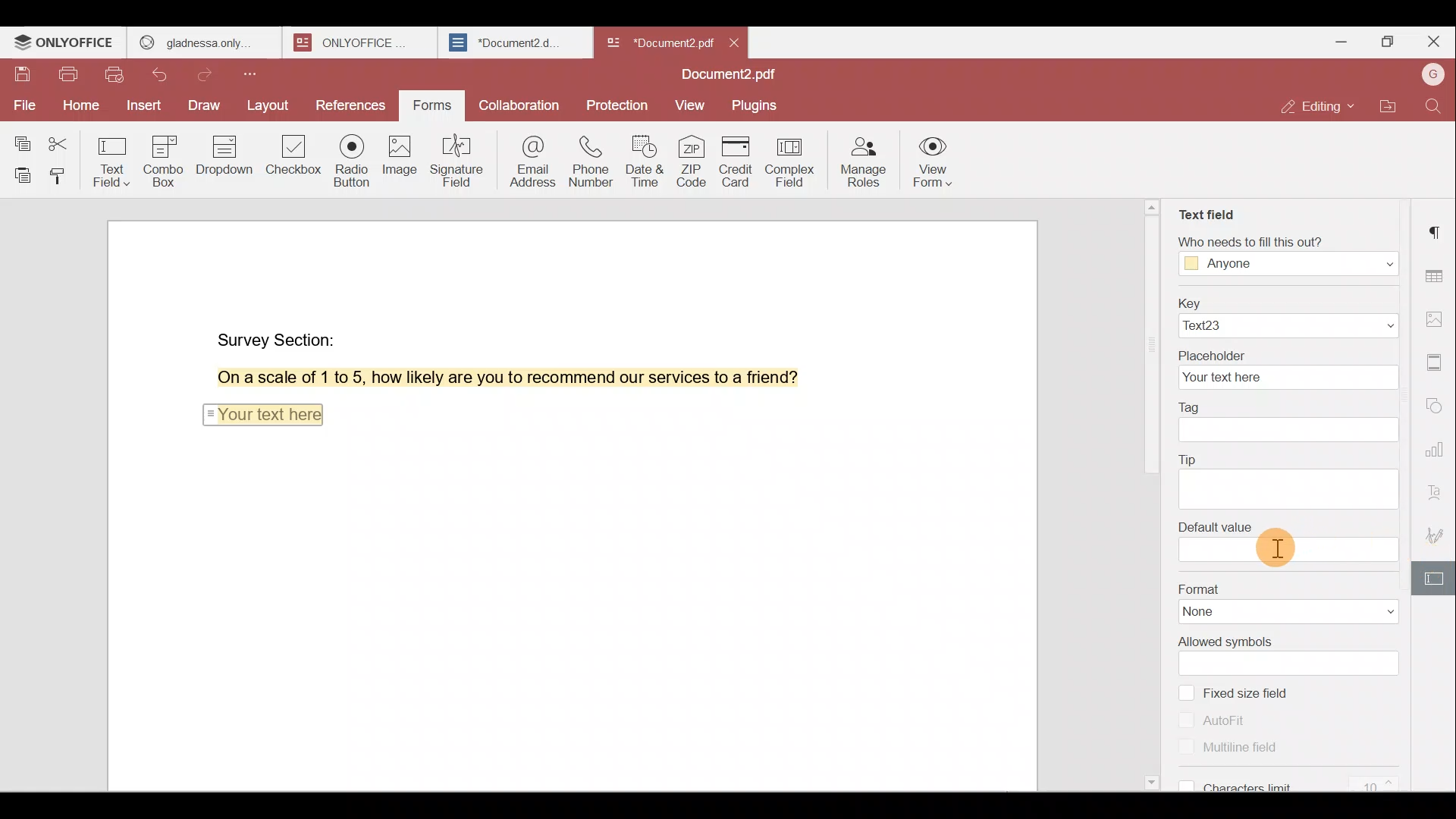 This screenshot has height=819, width=1456. I want to click on Maximize, so click(1386, 44).